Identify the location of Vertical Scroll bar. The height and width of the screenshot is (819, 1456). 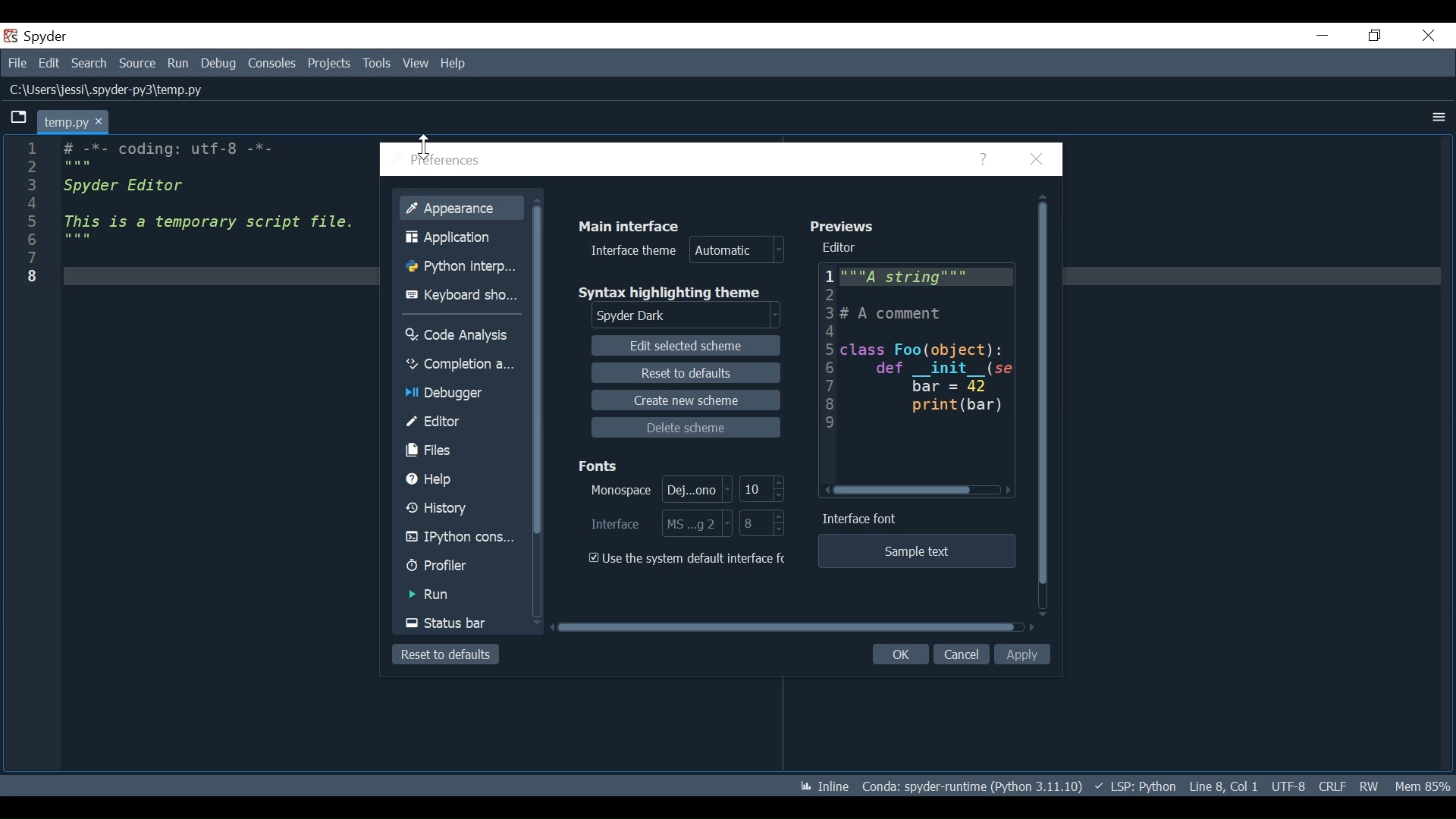
(1044, 397).